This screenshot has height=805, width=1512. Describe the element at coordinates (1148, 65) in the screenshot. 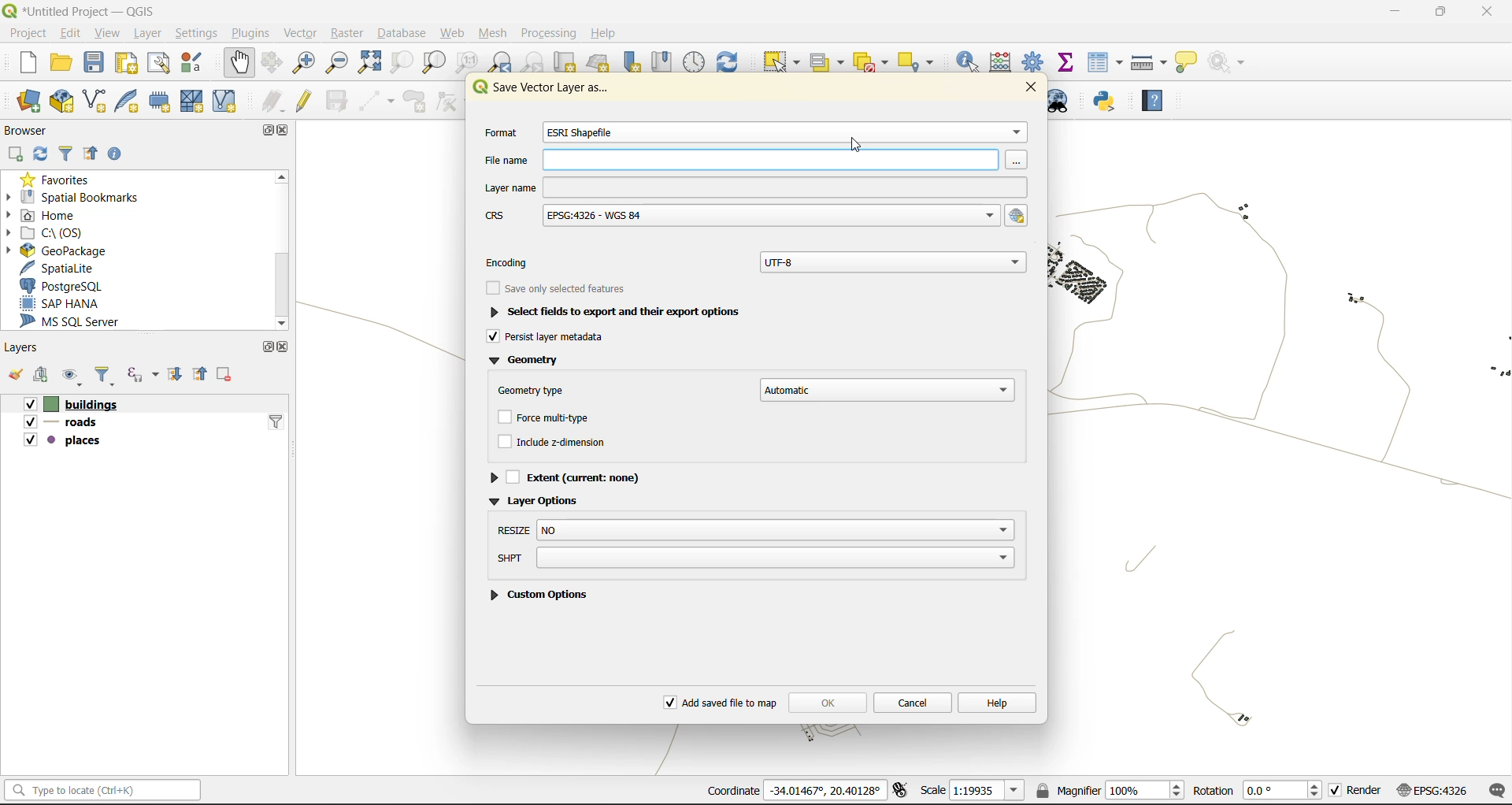

I see `measure line` at that location.